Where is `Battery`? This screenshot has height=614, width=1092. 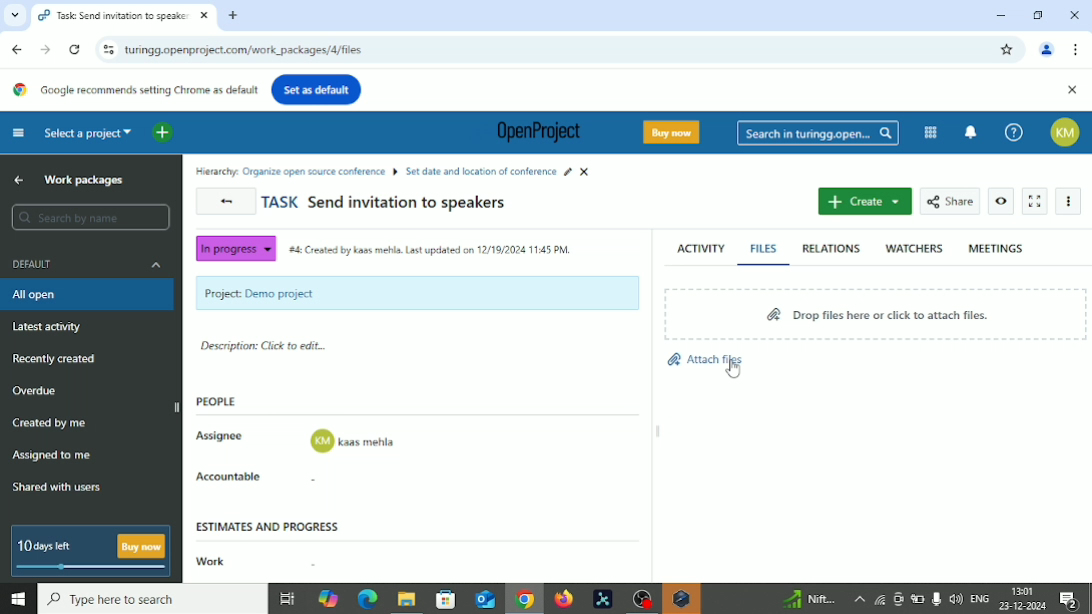
Battery is located at coordinates (918, 600).